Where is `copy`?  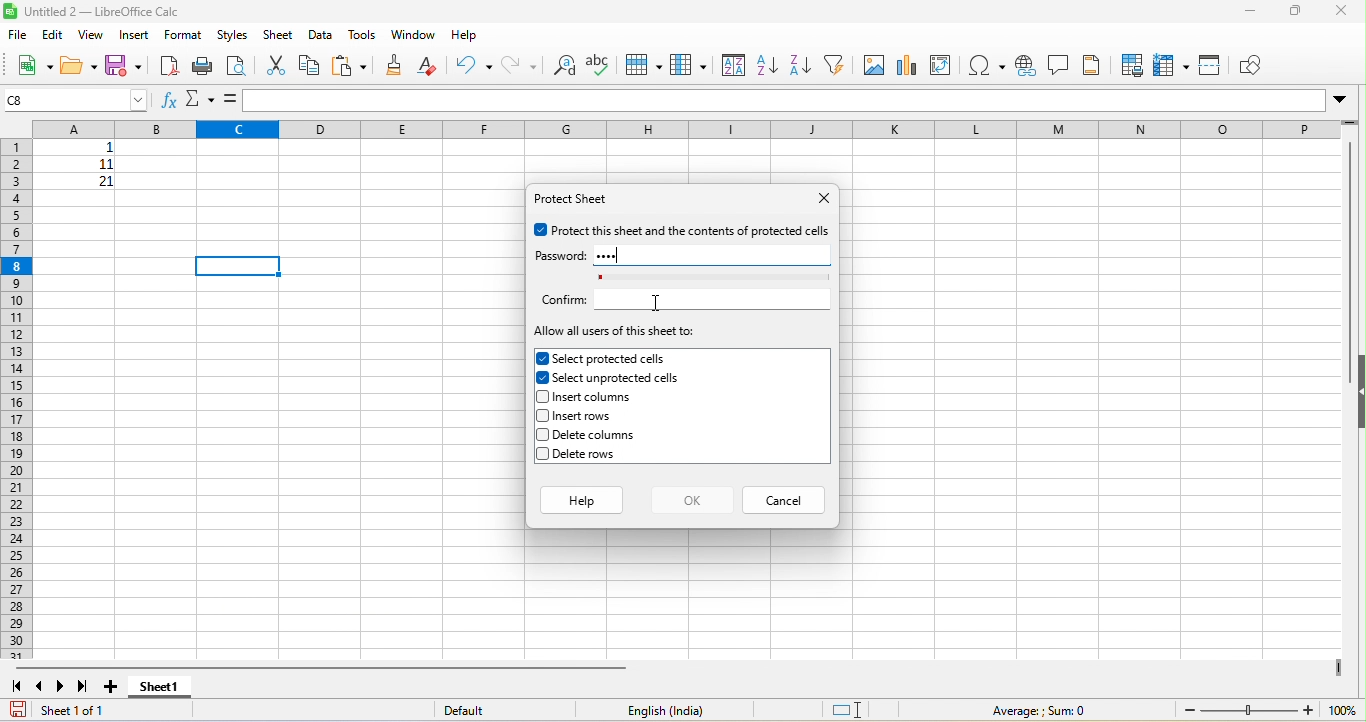 copy is located at coordinates (310, 67).